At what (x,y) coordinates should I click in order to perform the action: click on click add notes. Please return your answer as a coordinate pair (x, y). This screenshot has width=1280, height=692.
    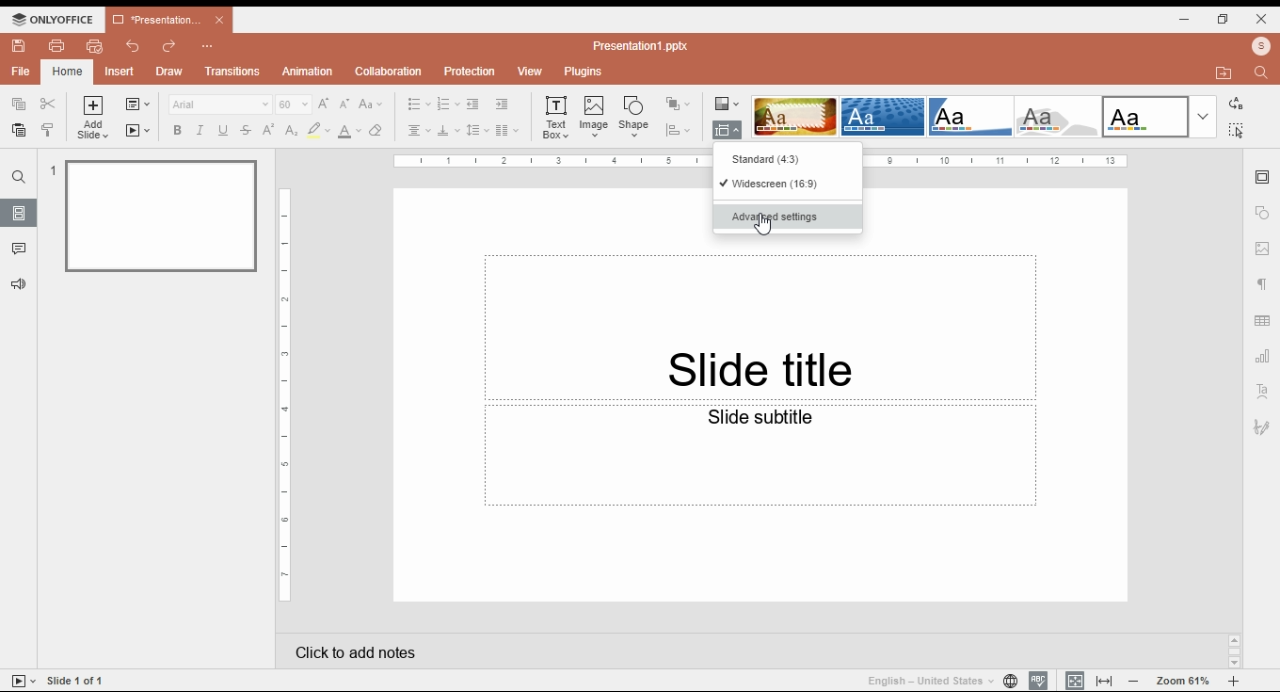
    Looking at the image, I should click on (352, 648).